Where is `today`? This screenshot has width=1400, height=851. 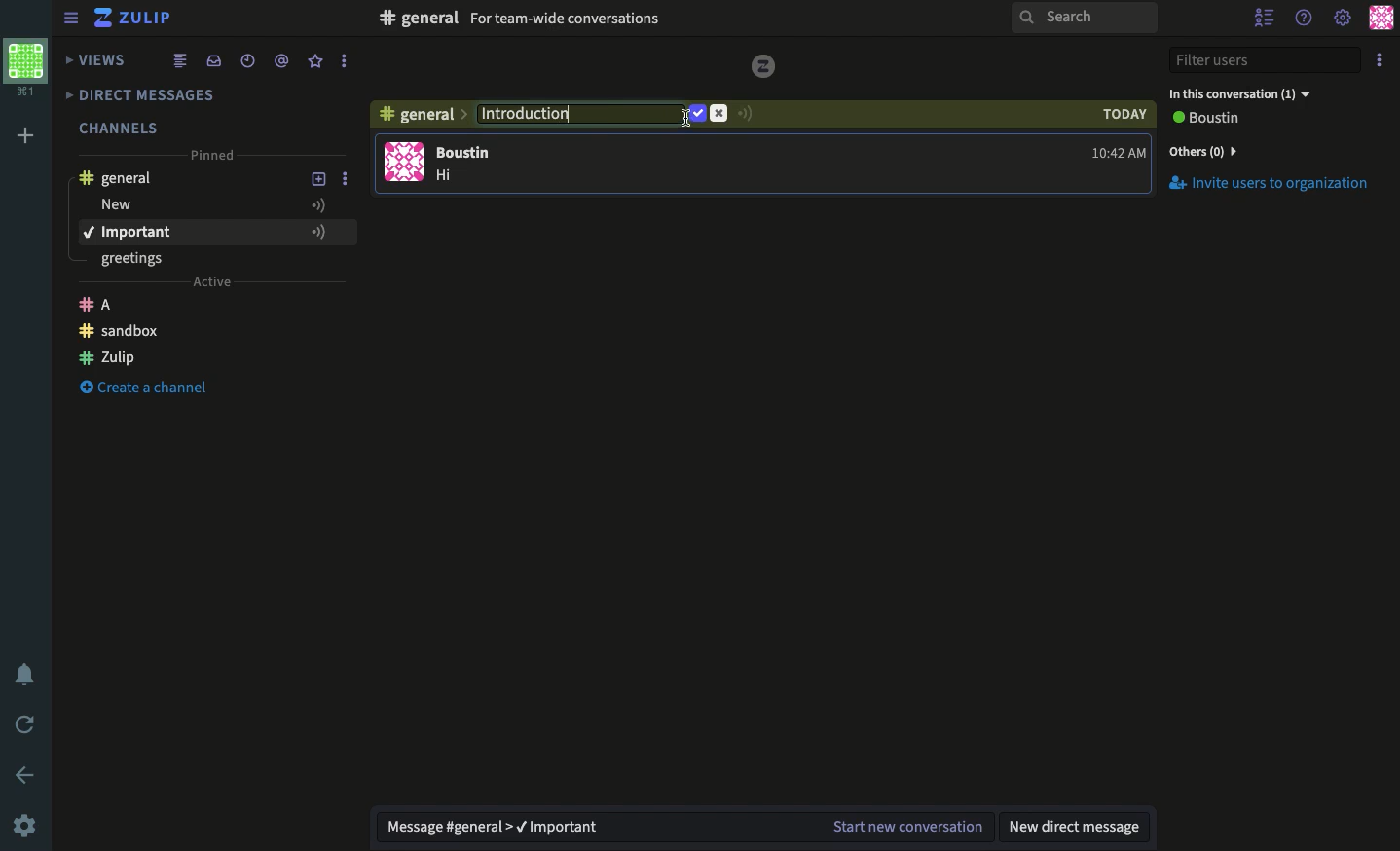
today is located at coordinates (1124, 115).